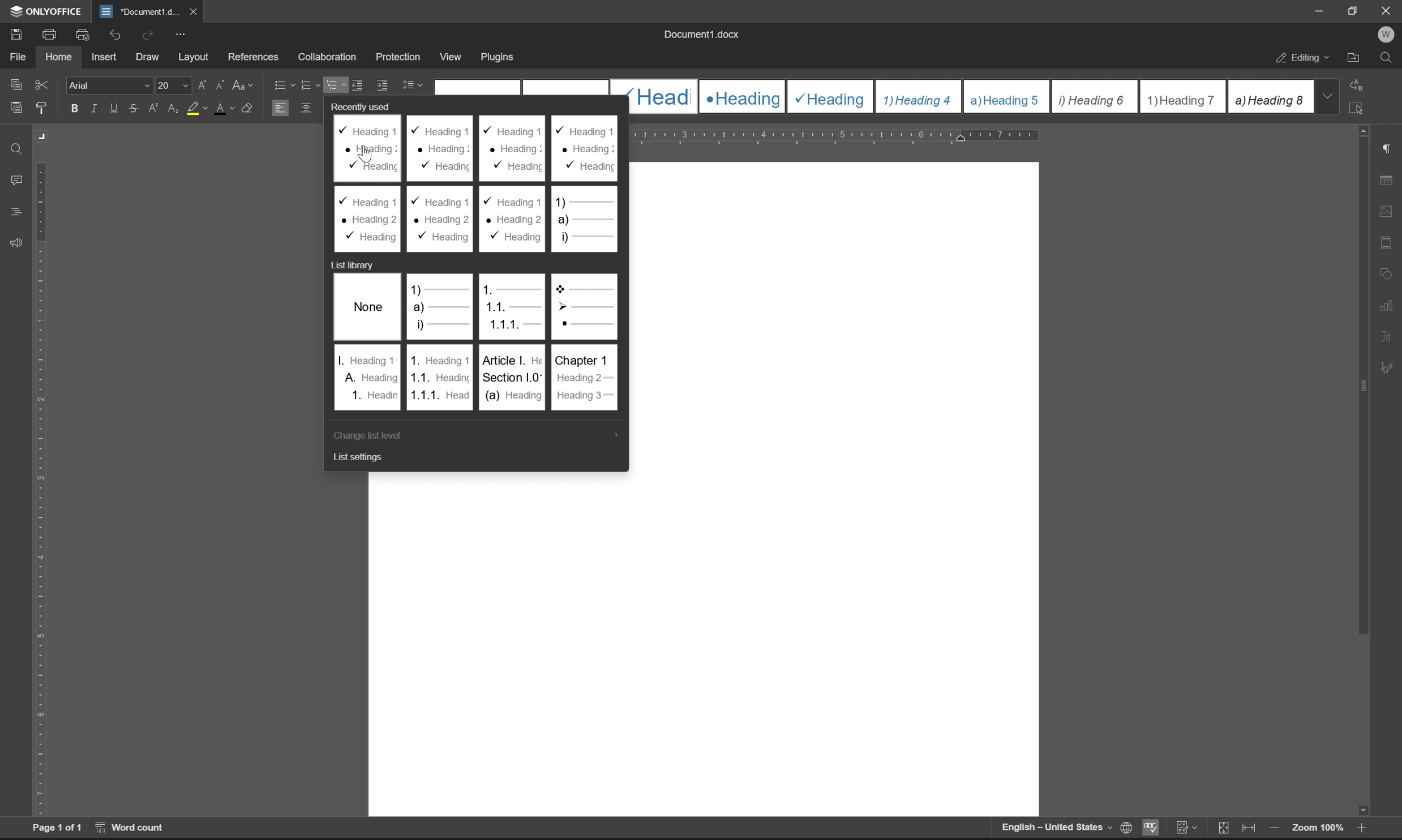 The image size is (1402, 840). Describe the element at coordinates (196, 109) in the screenshot. I see `background color` at that location.